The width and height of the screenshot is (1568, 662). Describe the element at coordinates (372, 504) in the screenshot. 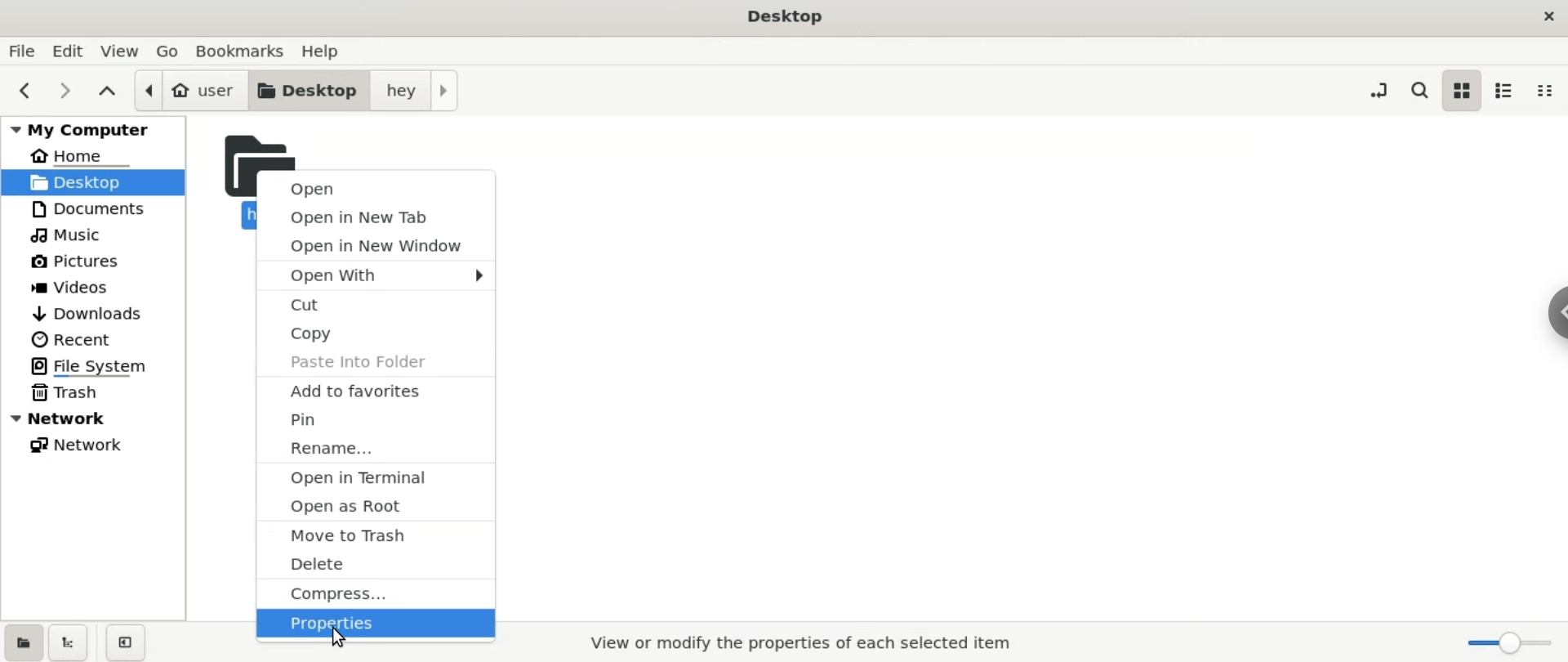

I see `open as root` at that location.